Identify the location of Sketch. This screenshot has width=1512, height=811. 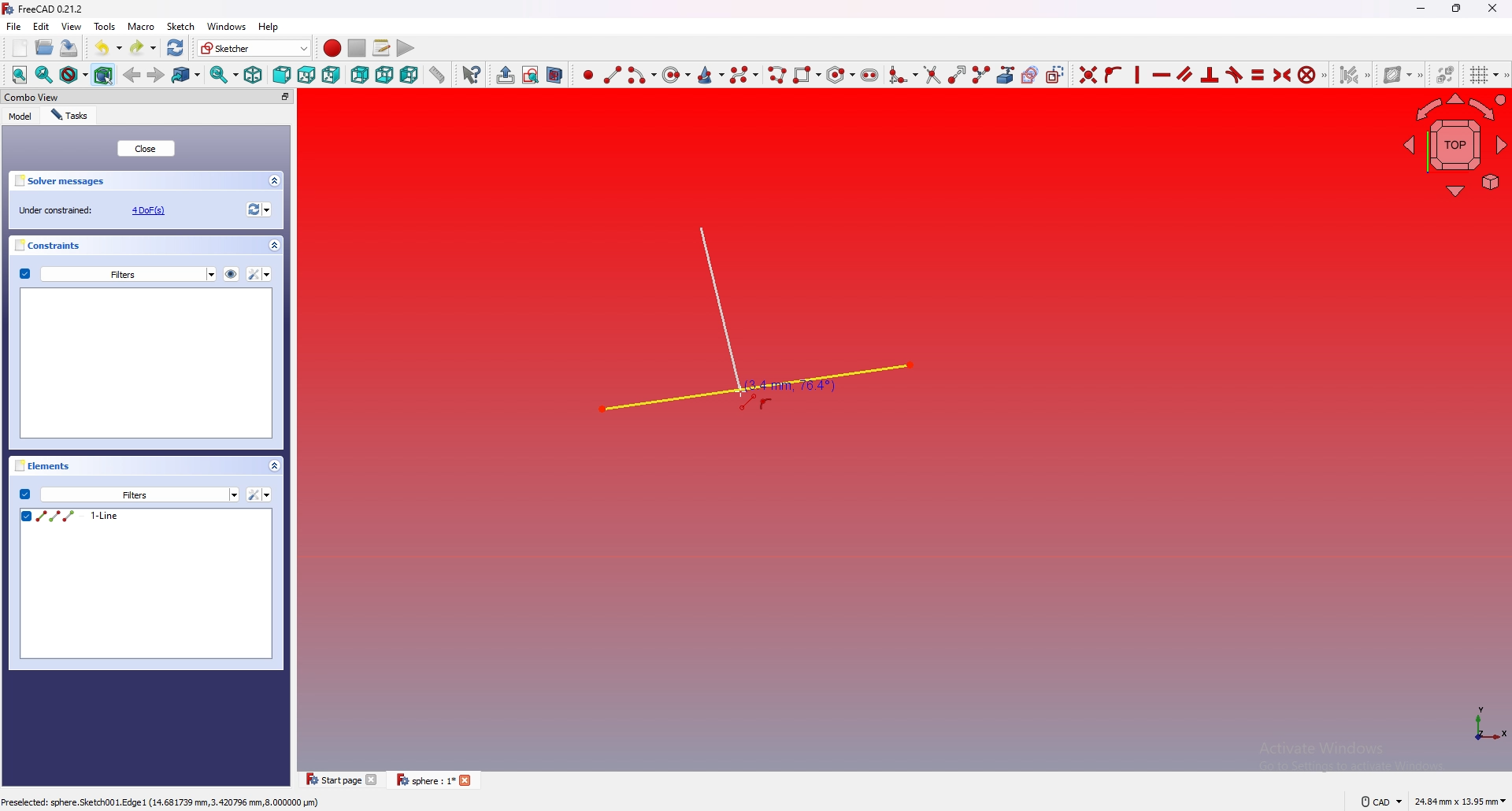
(182, 27).